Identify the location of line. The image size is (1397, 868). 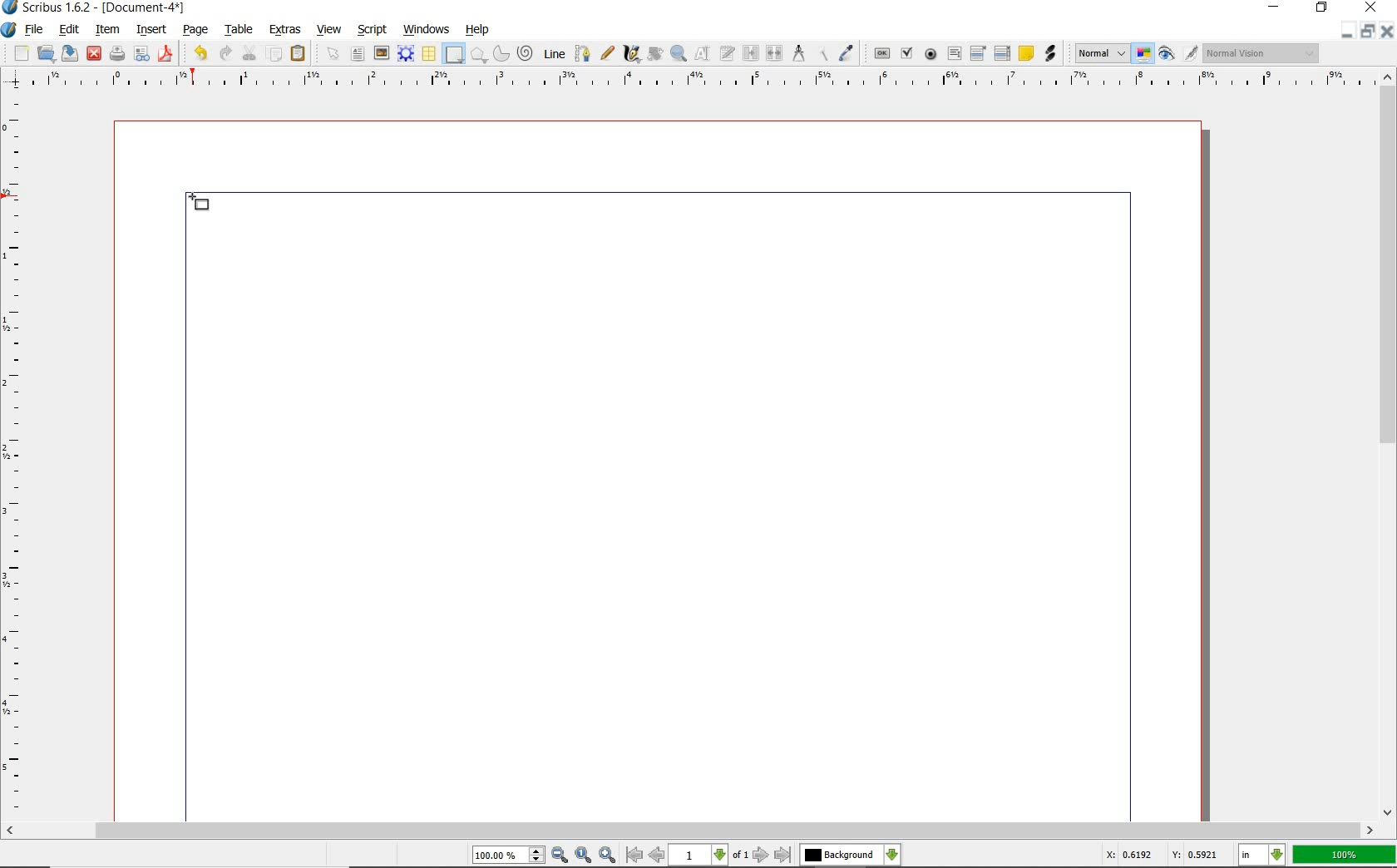
(554, 54).